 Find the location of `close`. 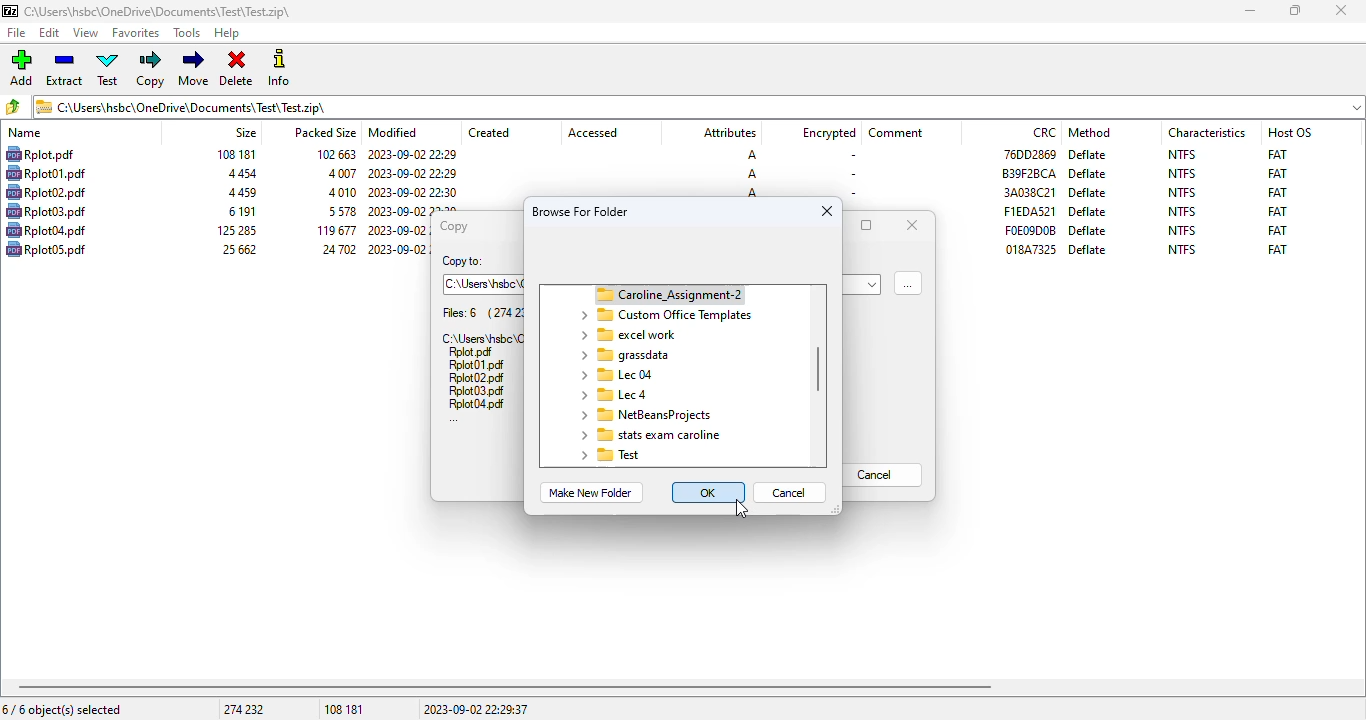

close is located at coordinates (912, 224).